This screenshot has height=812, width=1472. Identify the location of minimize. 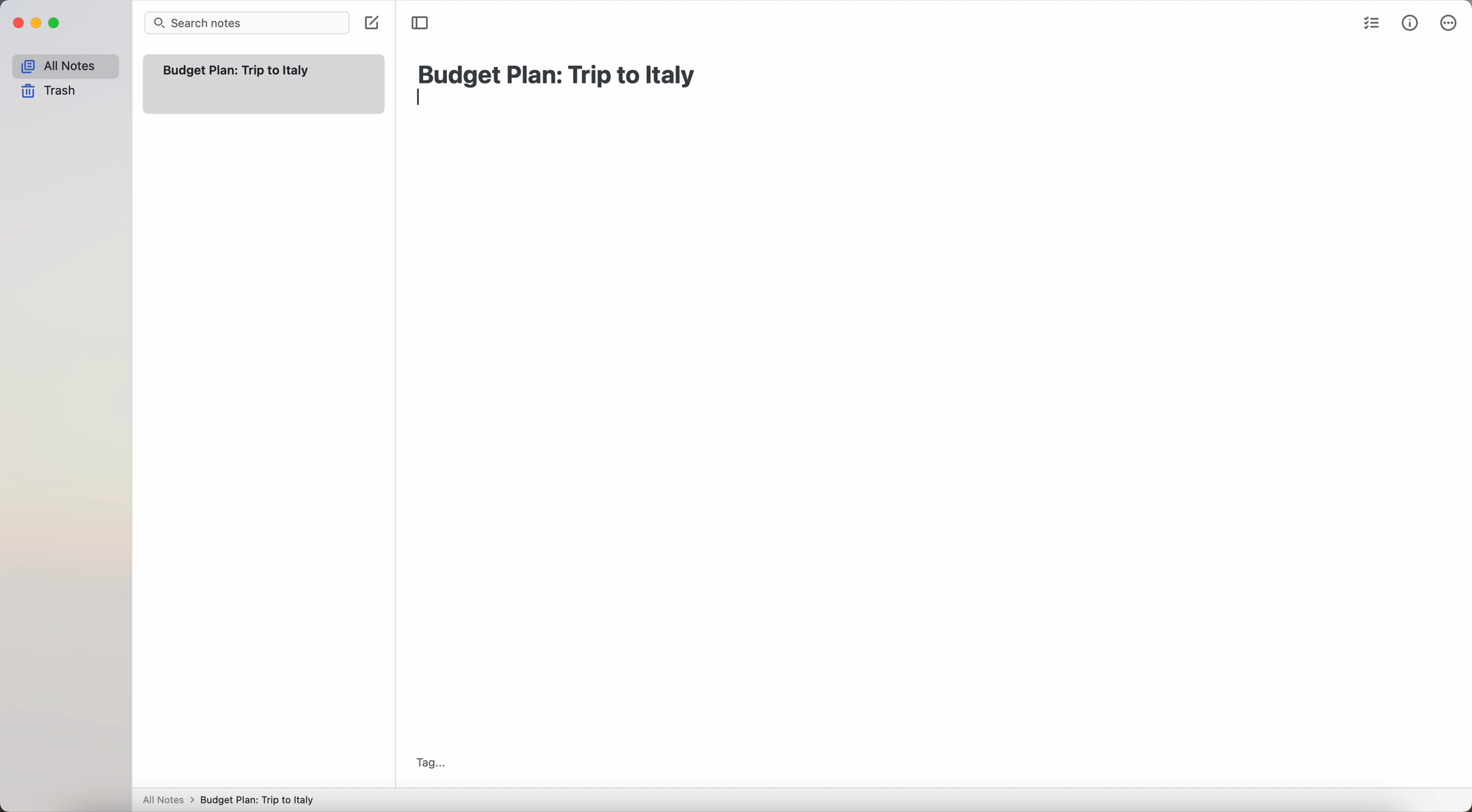
(39, 23).